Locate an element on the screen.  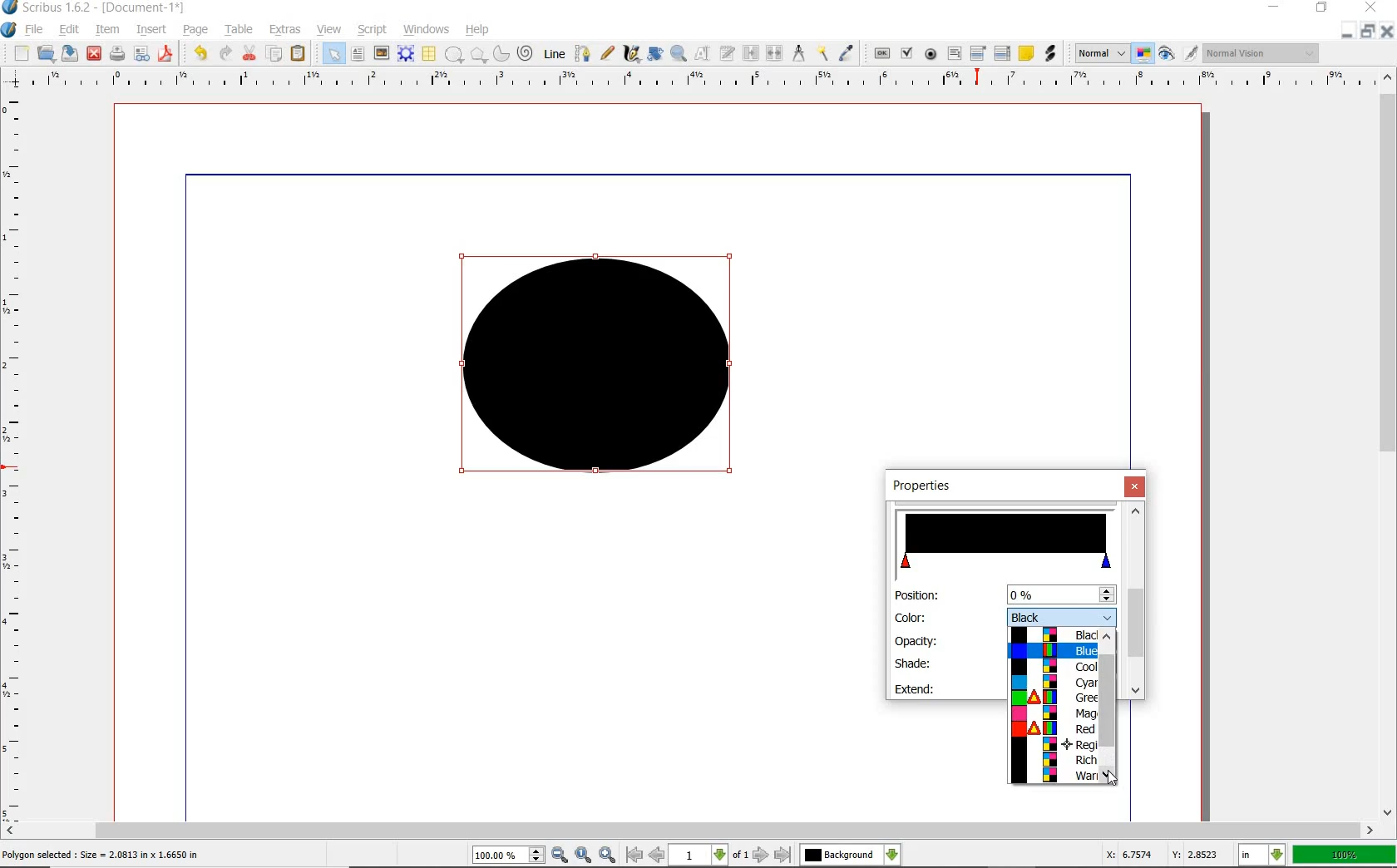
SYSTEM NAME is located at coordinates (95, 7).